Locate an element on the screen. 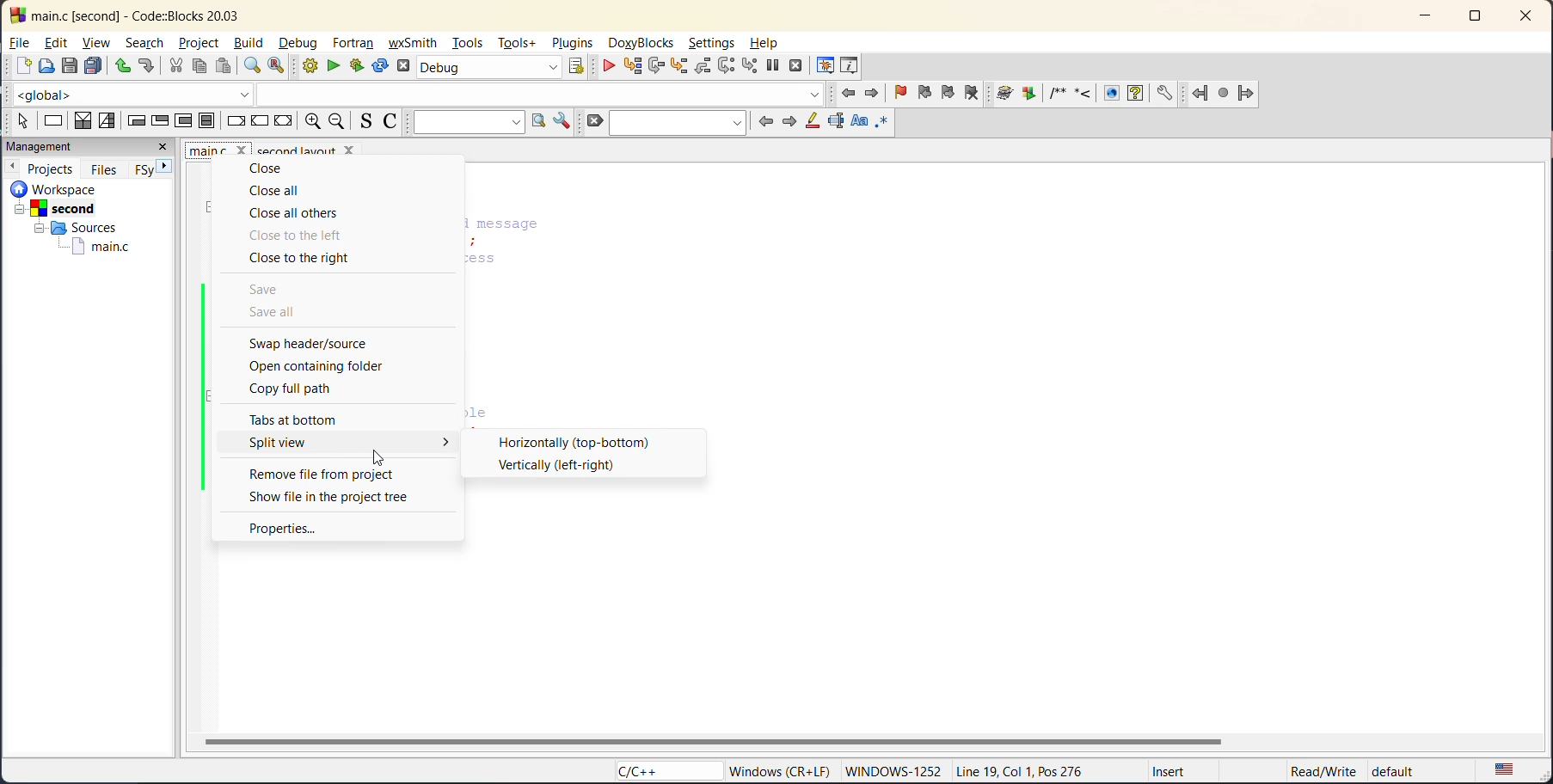  undo is located at coordinates (122, 67).